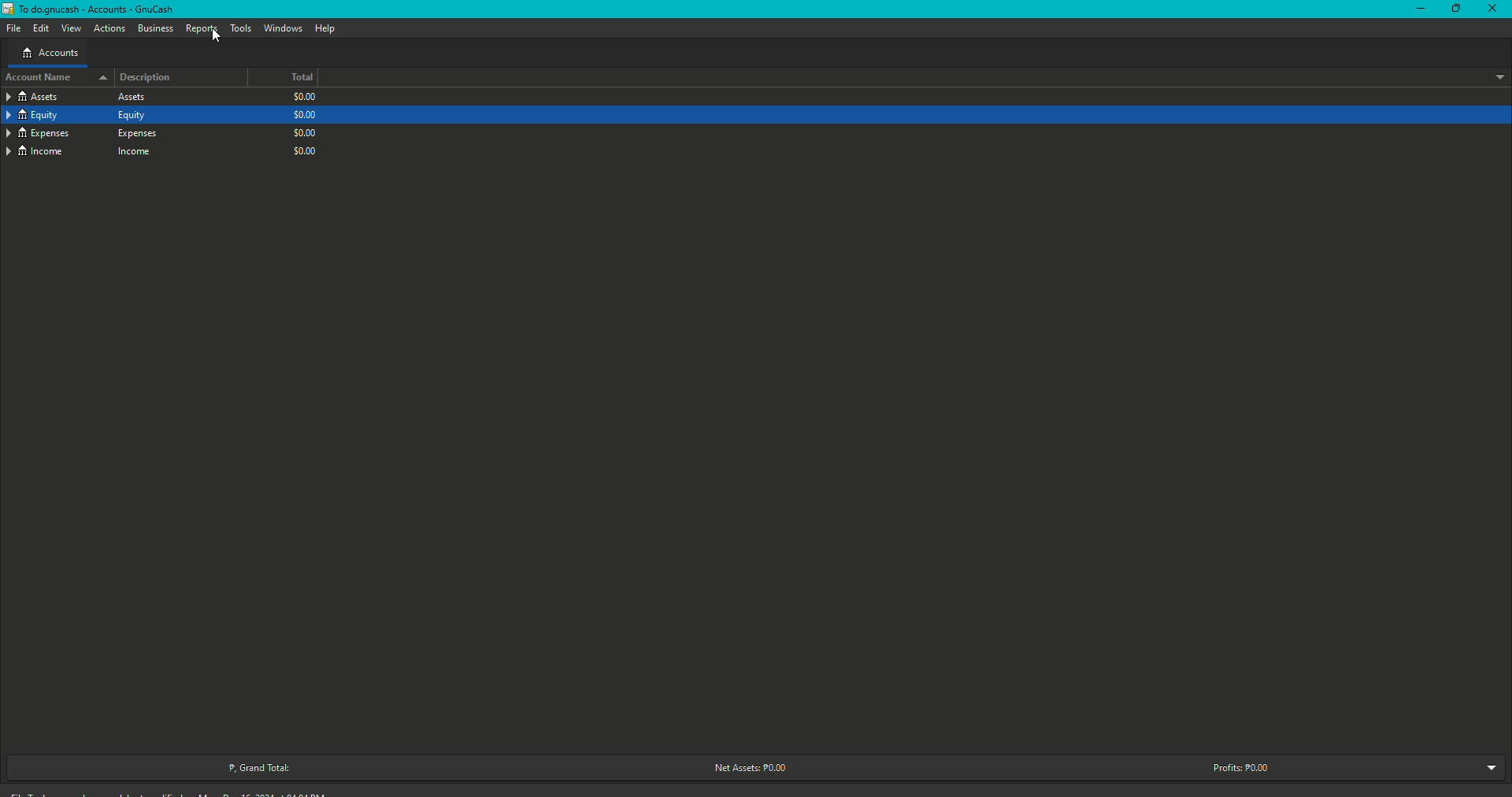 The image size is (1512, 797). I want to click on Grand Total, so click(268, 765).